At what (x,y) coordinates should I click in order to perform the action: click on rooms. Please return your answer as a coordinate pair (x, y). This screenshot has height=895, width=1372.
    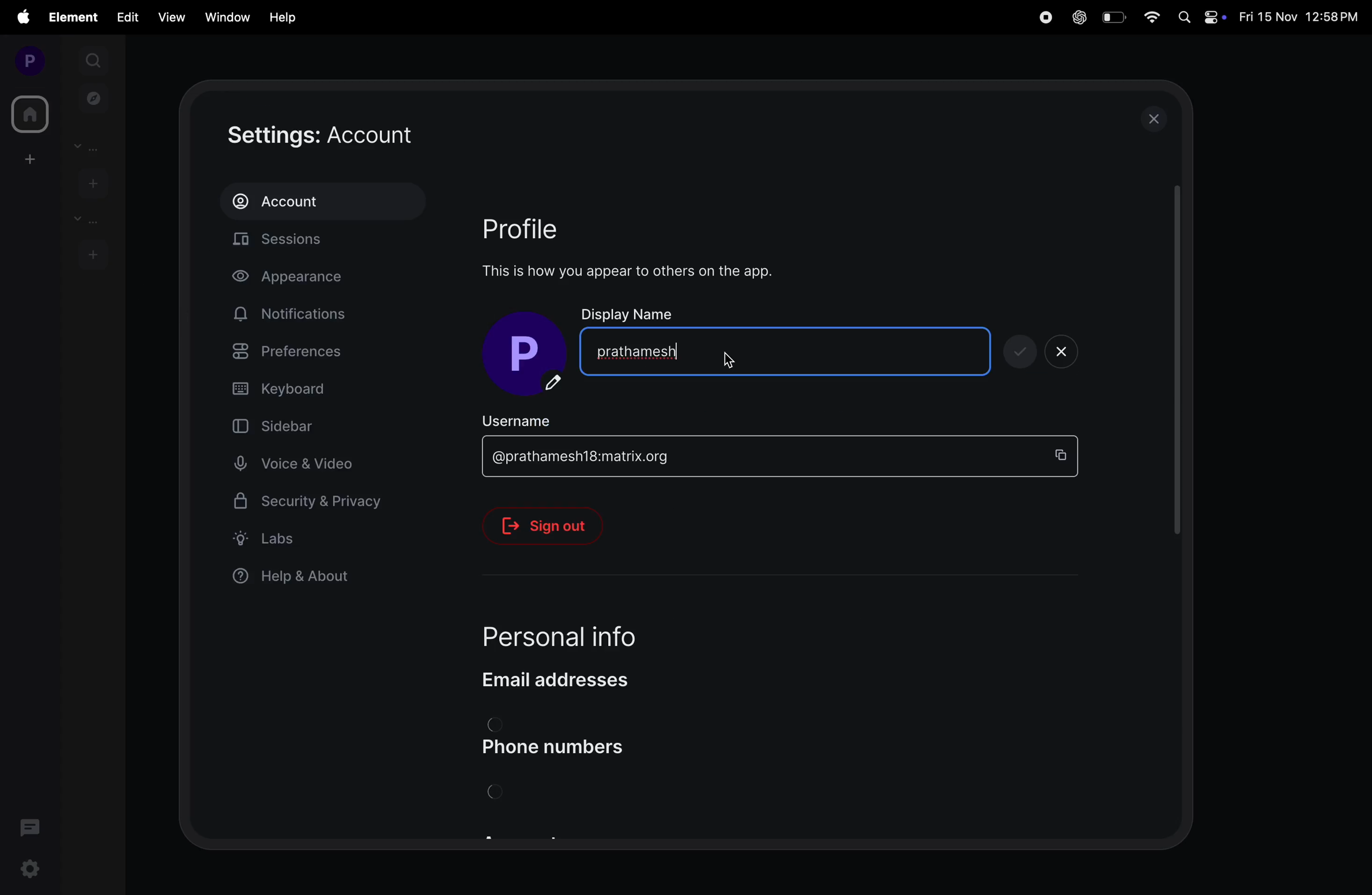
    Looking at the image, I should click on (84, 220).